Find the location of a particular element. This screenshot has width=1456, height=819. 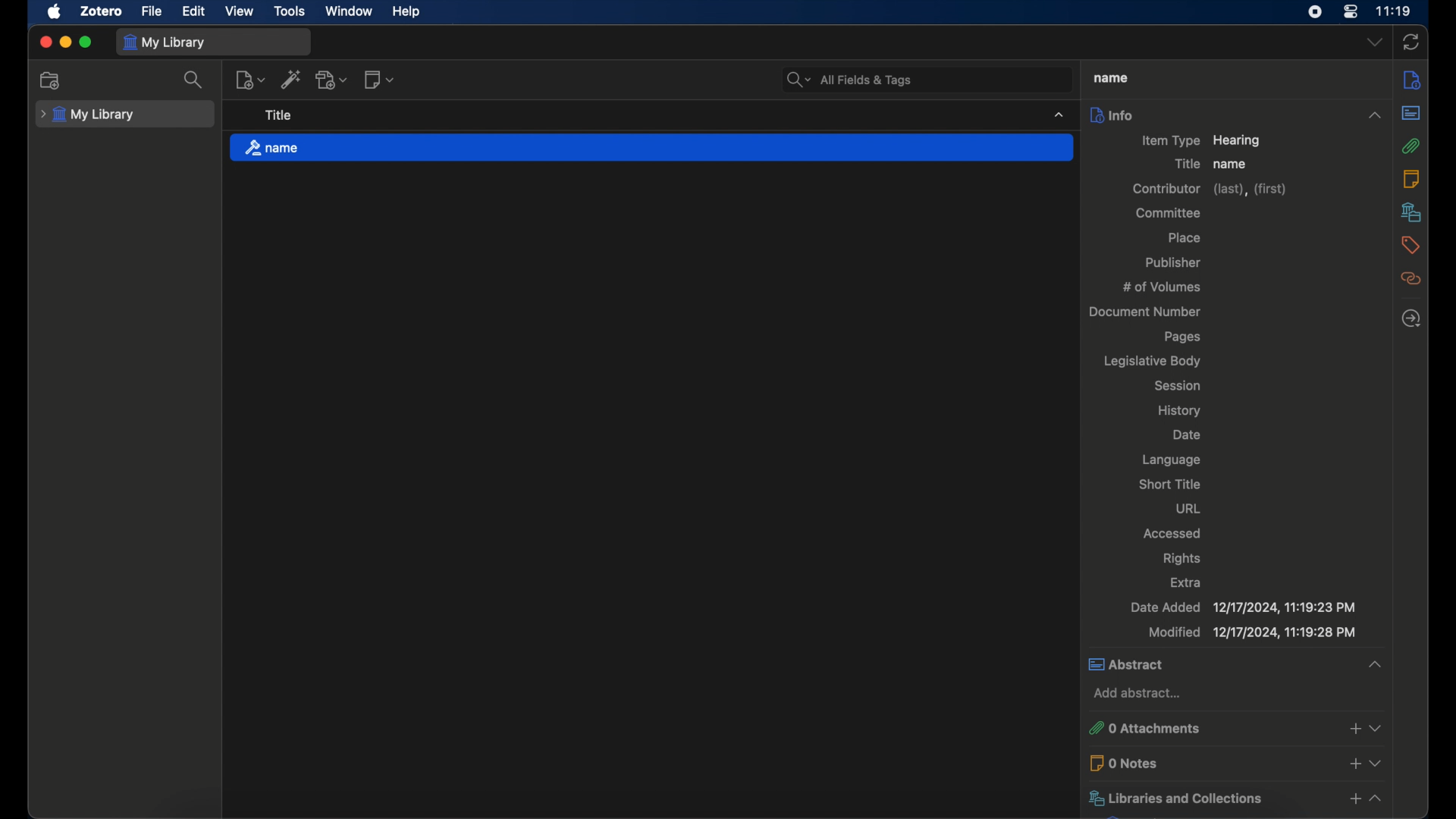

info is located at coordinates (1411, 80).